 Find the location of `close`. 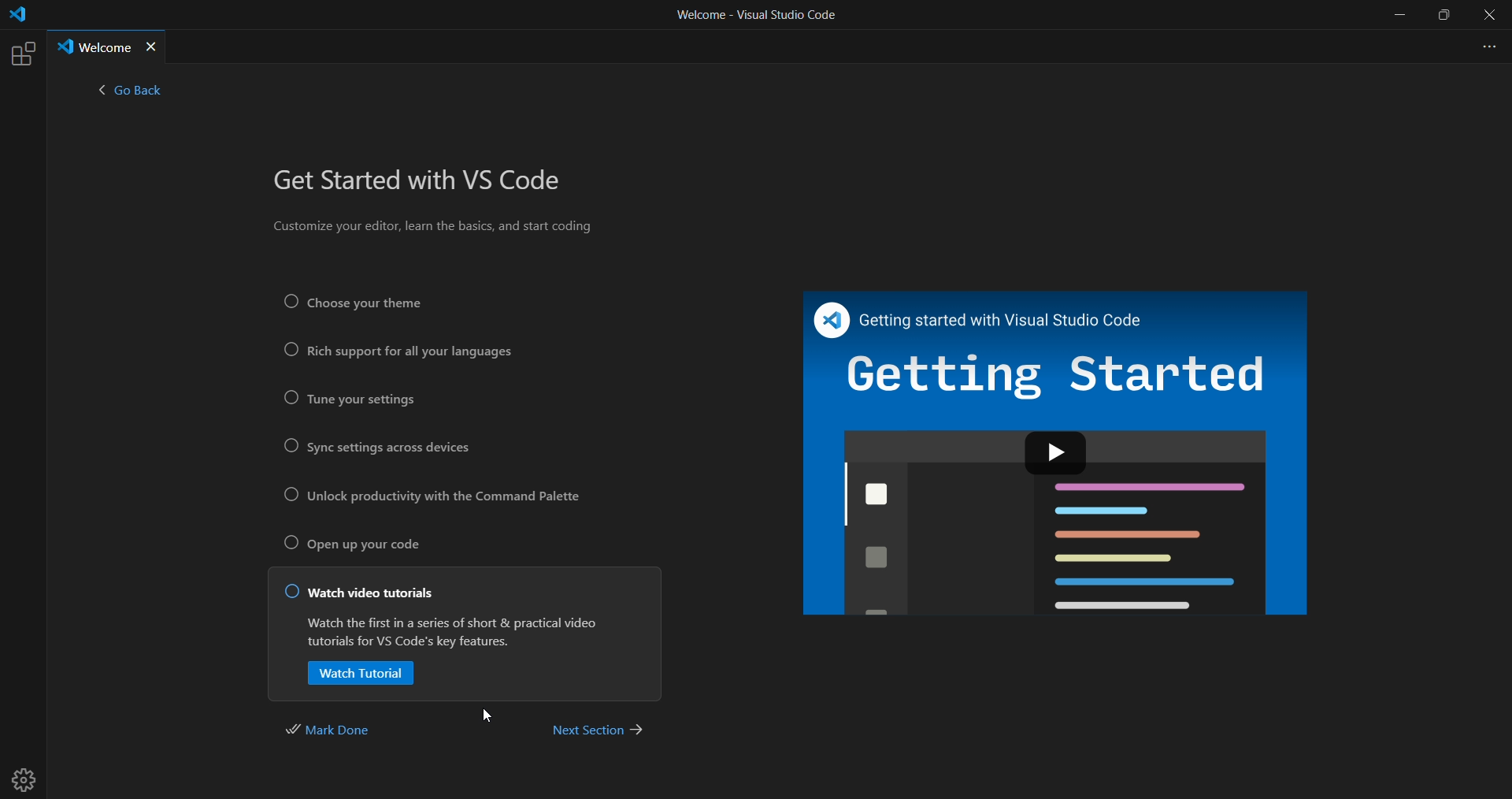

close is located at coordinates (1490, 16).